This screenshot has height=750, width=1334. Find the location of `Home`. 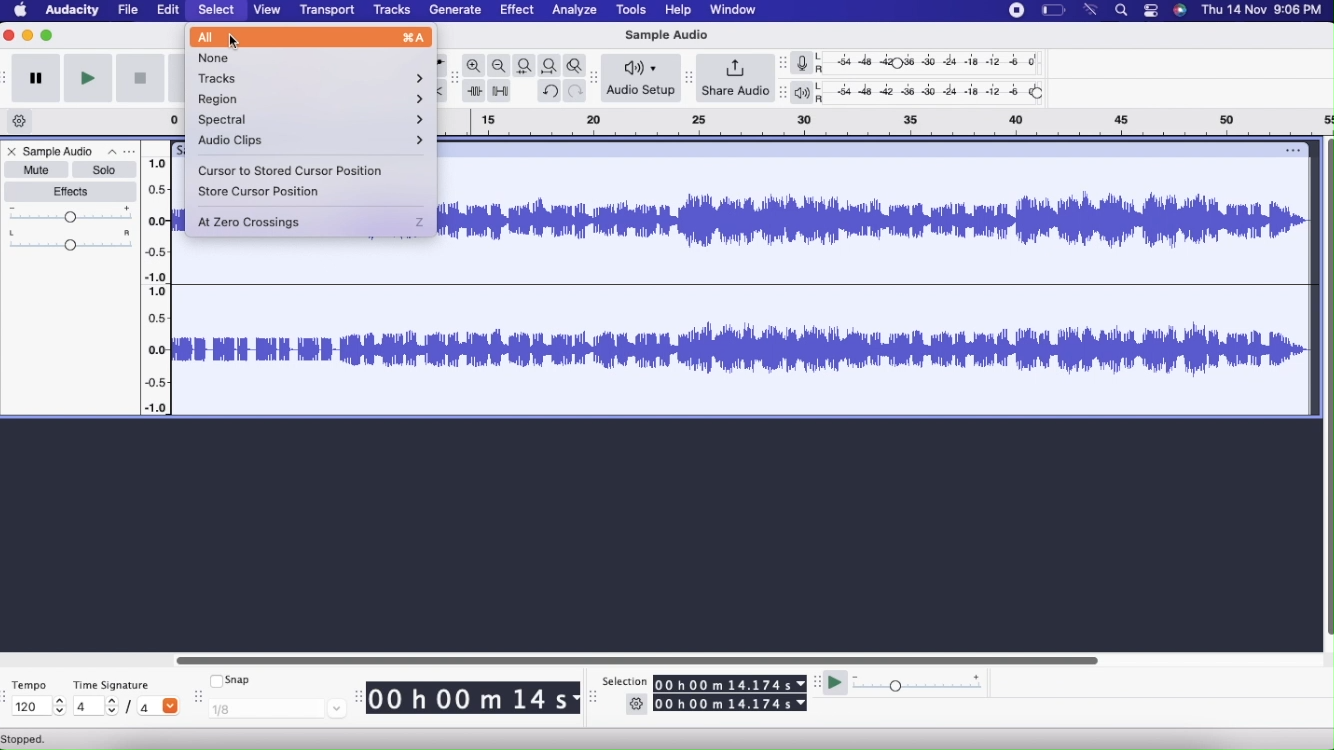

Home is located at coordinates (22, 11).